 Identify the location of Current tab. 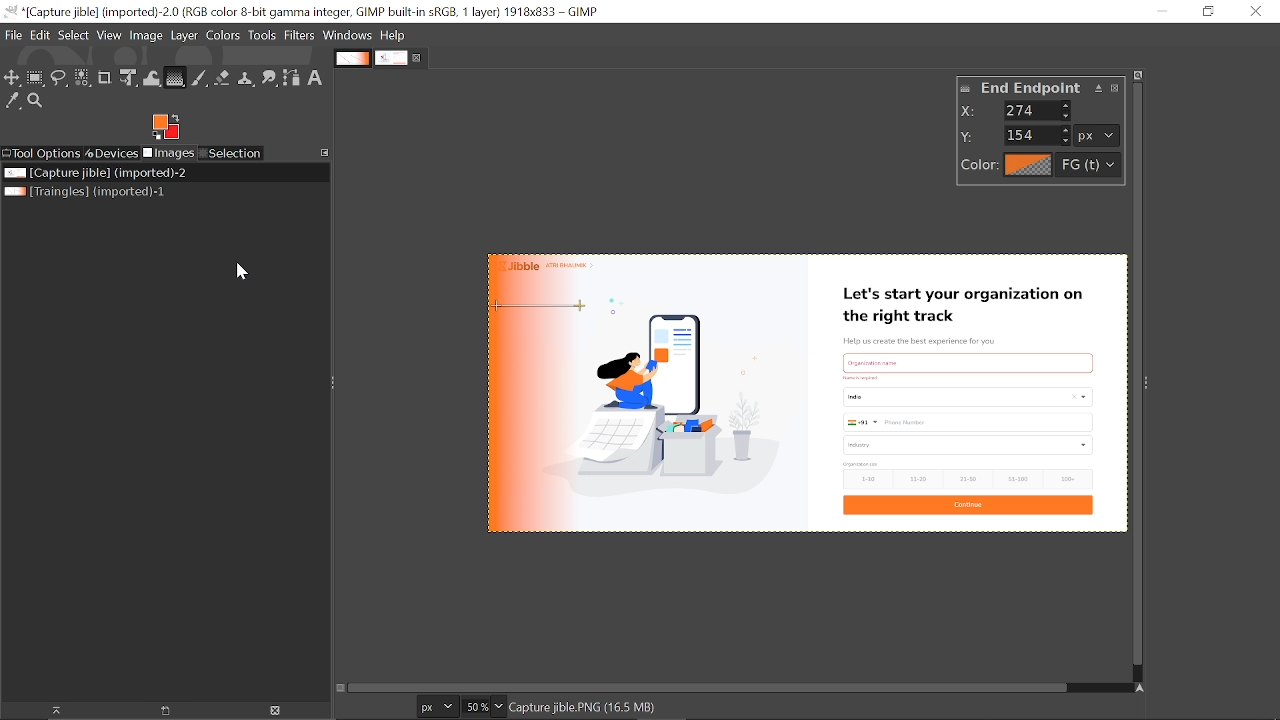
(392, 58).